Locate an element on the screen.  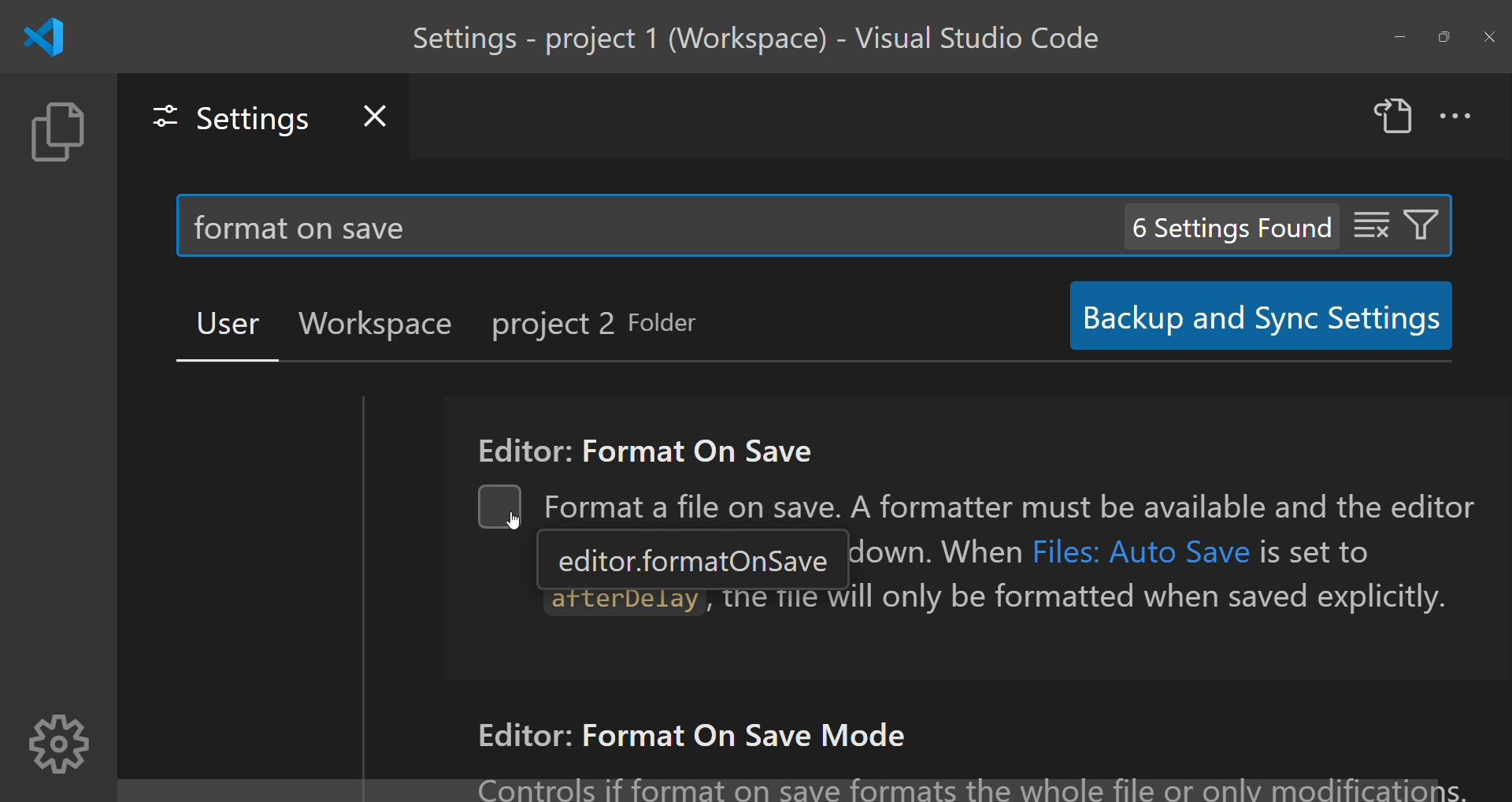
checkbox is located at coordinates (502, 509).